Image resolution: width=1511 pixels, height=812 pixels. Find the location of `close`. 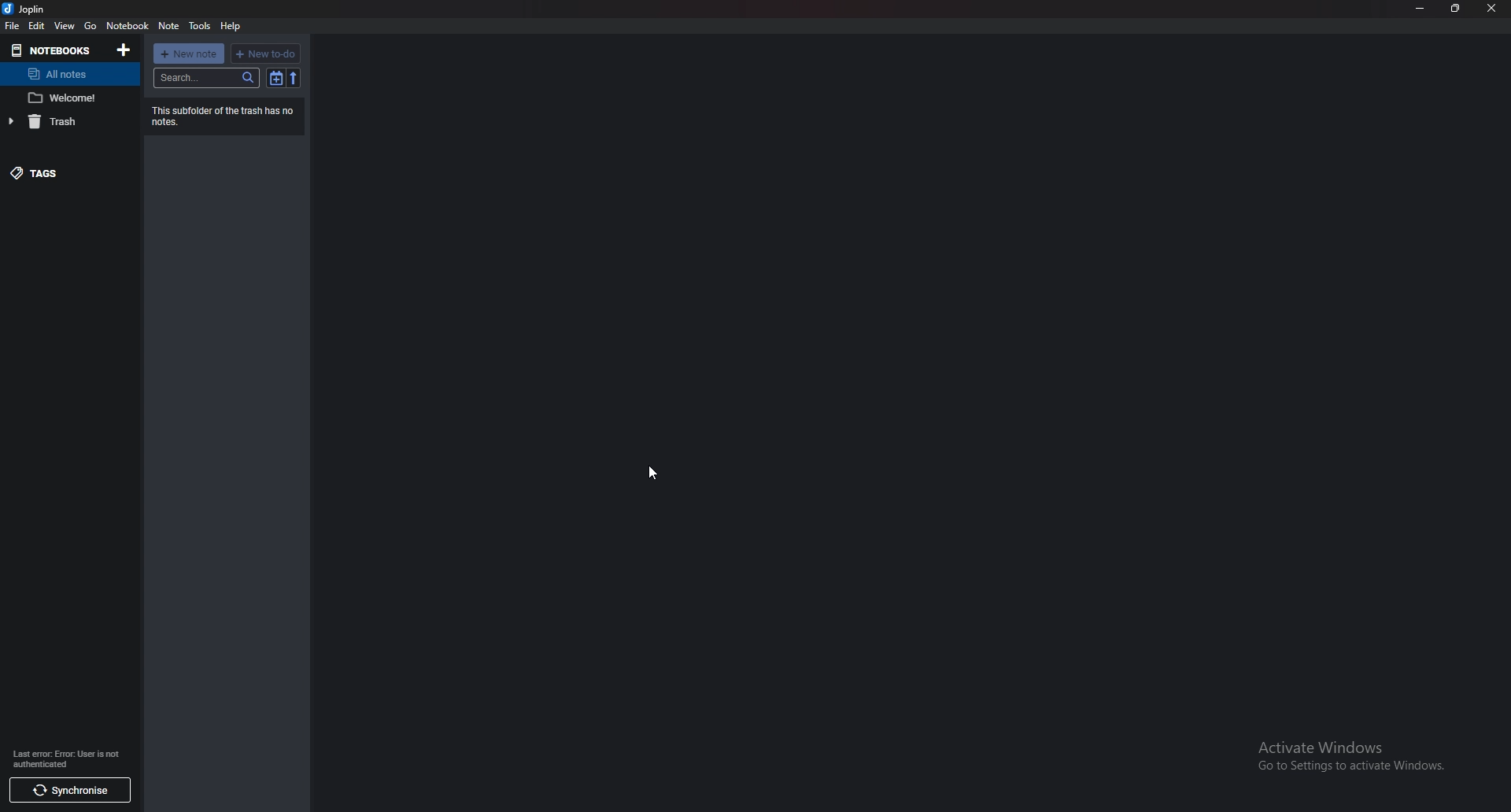

close is located at coordinates (1492, 9).